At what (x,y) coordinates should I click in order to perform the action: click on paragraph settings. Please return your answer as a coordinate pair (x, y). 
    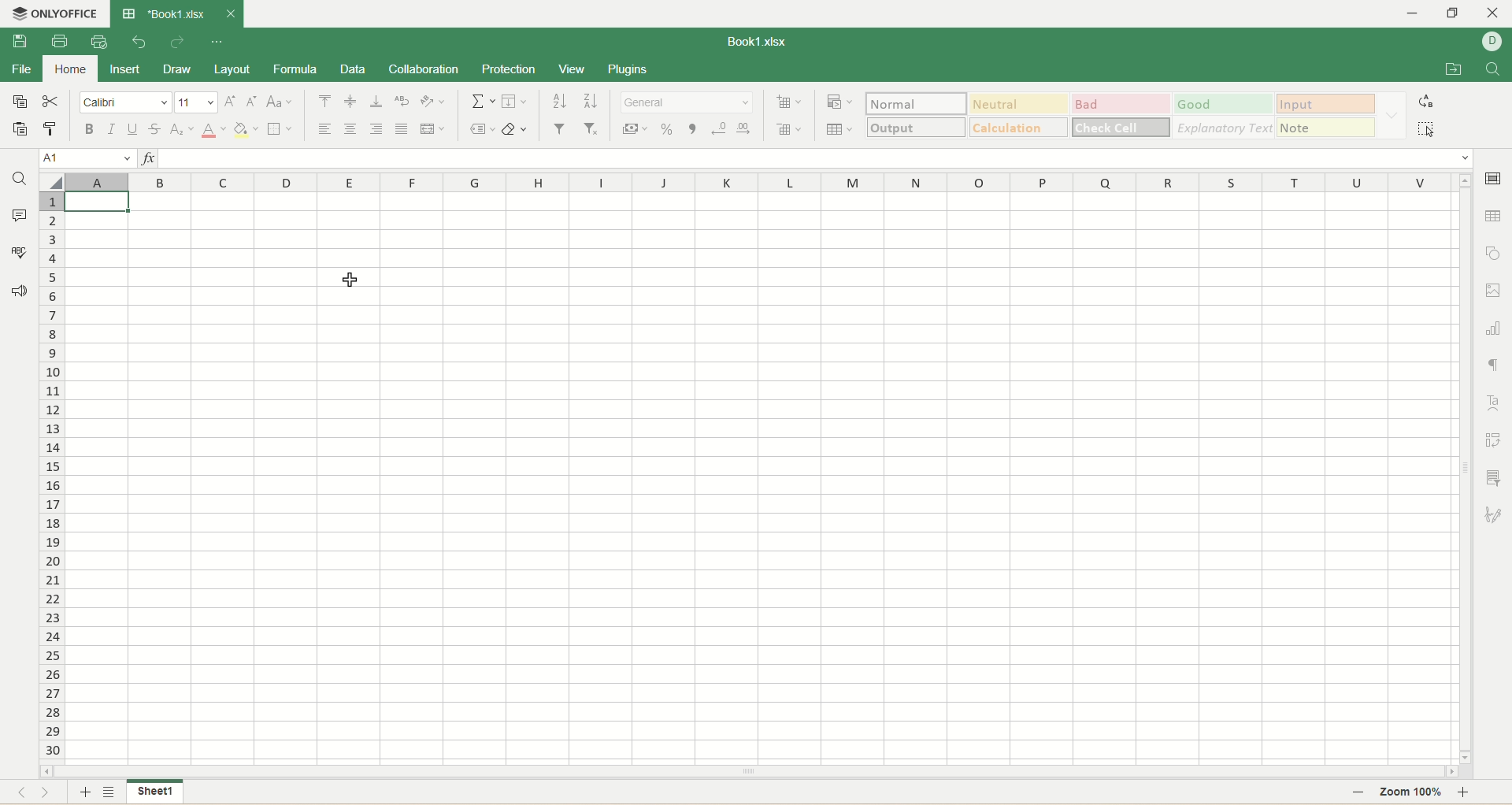
    Looking at the image, I should click on (1495, 367).